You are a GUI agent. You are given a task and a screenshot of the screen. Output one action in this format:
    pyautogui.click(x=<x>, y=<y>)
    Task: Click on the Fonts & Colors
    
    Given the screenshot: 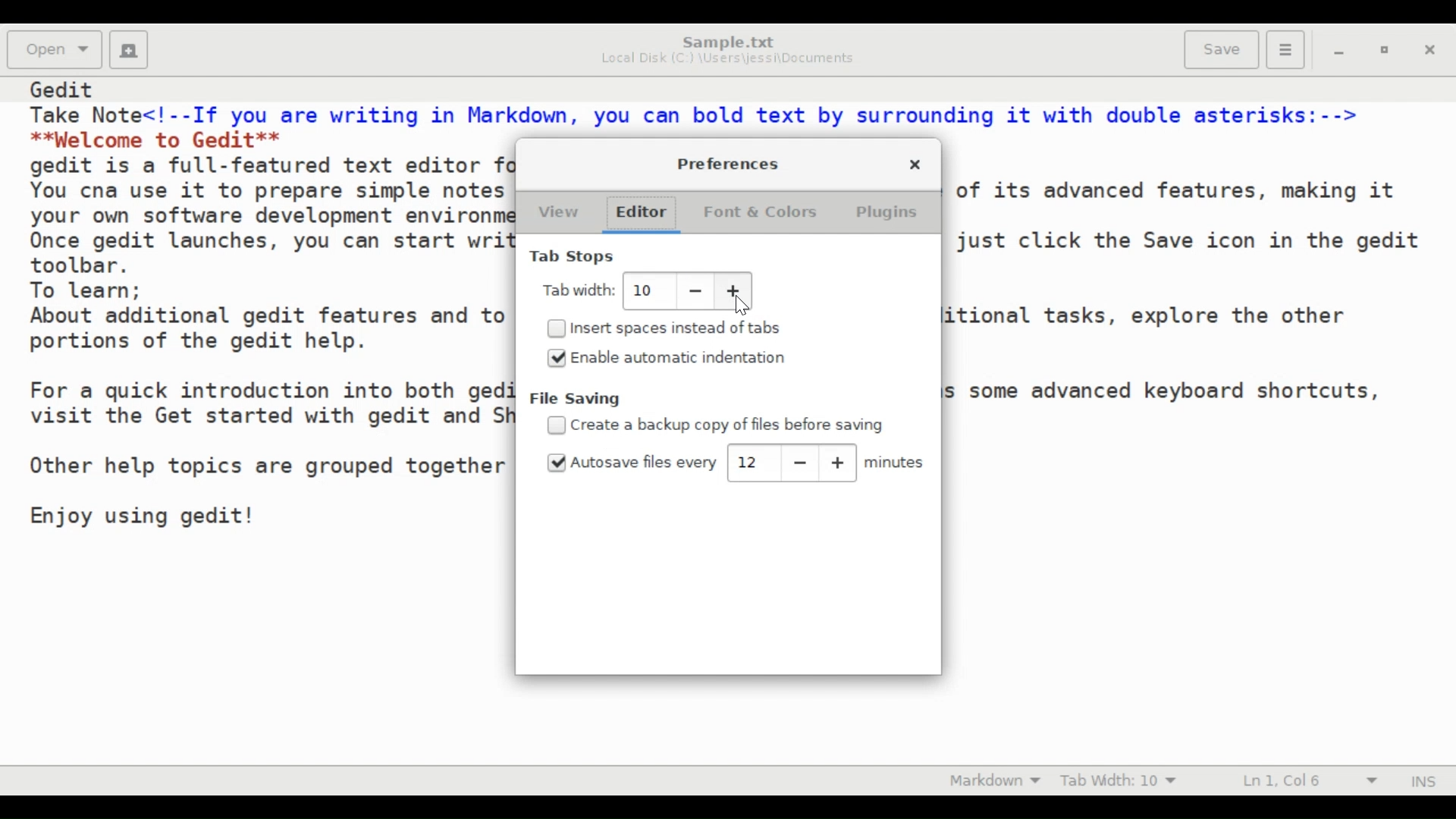 What is the action you would take?
    pyautogui.click(x=763, y=214)
    